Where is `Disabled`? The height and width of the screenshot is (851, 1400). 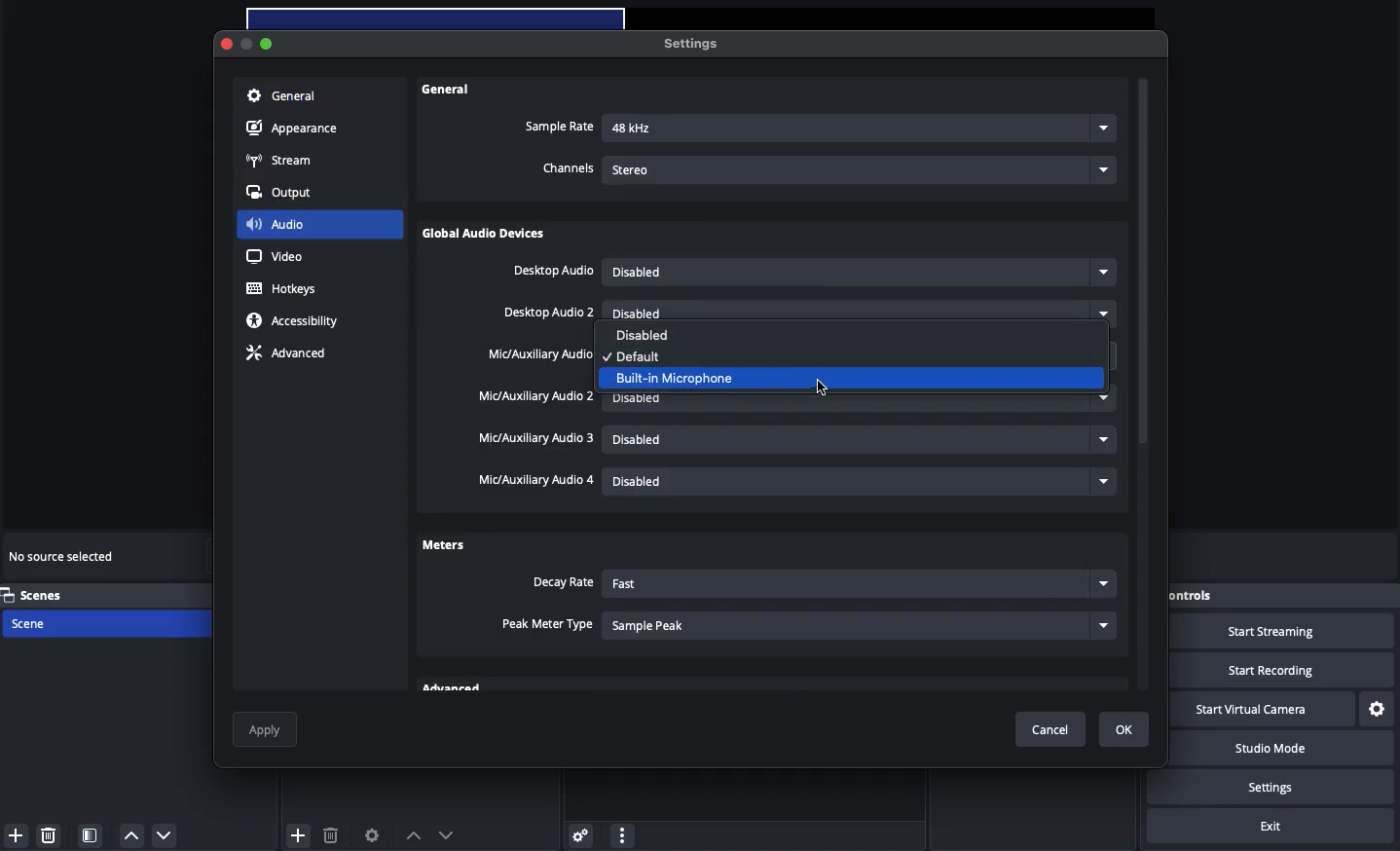 Disabled is located at coordinates (859, 396).